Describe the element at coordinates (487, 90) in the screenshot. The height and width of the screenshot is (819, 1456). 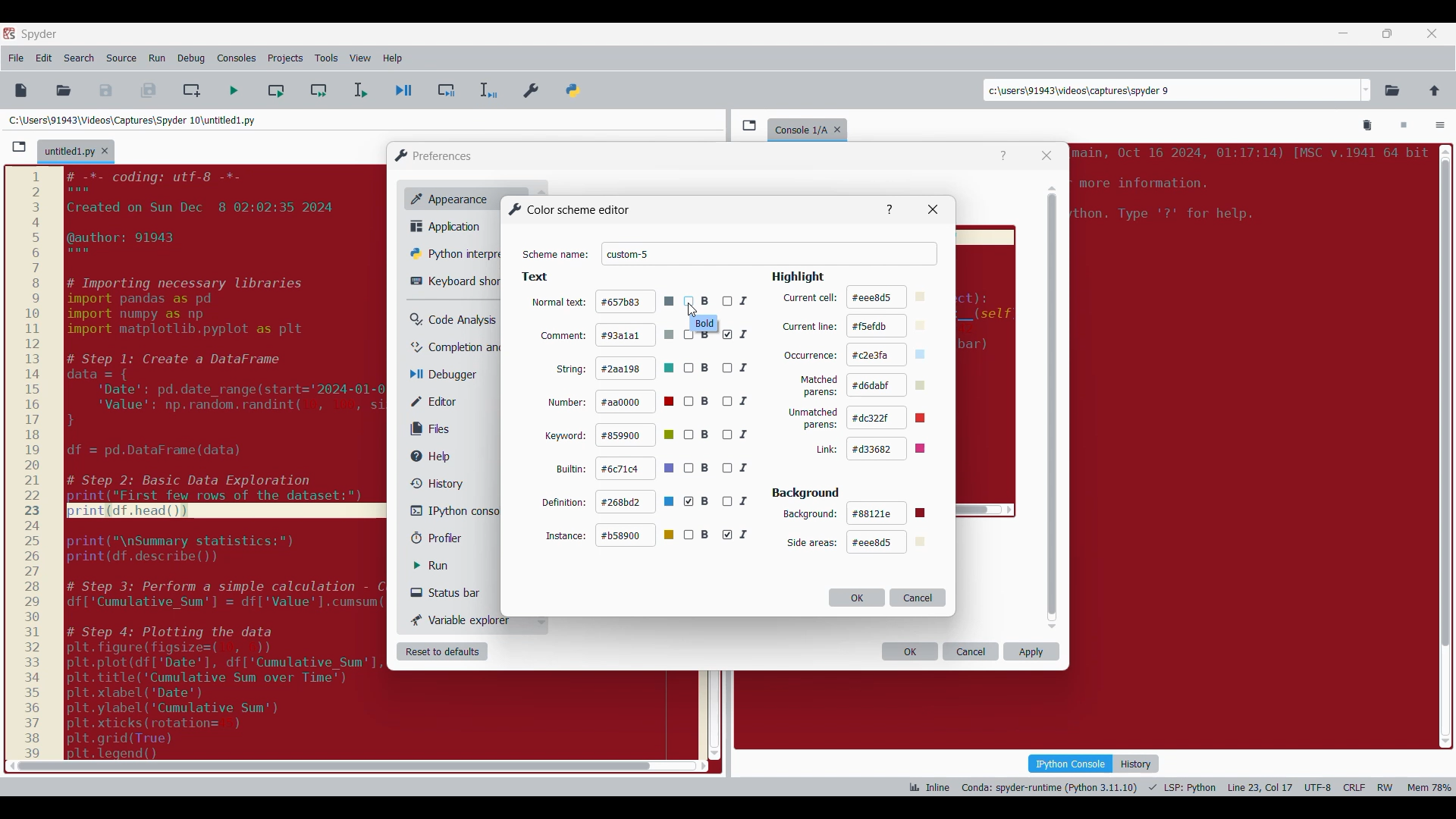
I see `Debug selection/current line` at that location.